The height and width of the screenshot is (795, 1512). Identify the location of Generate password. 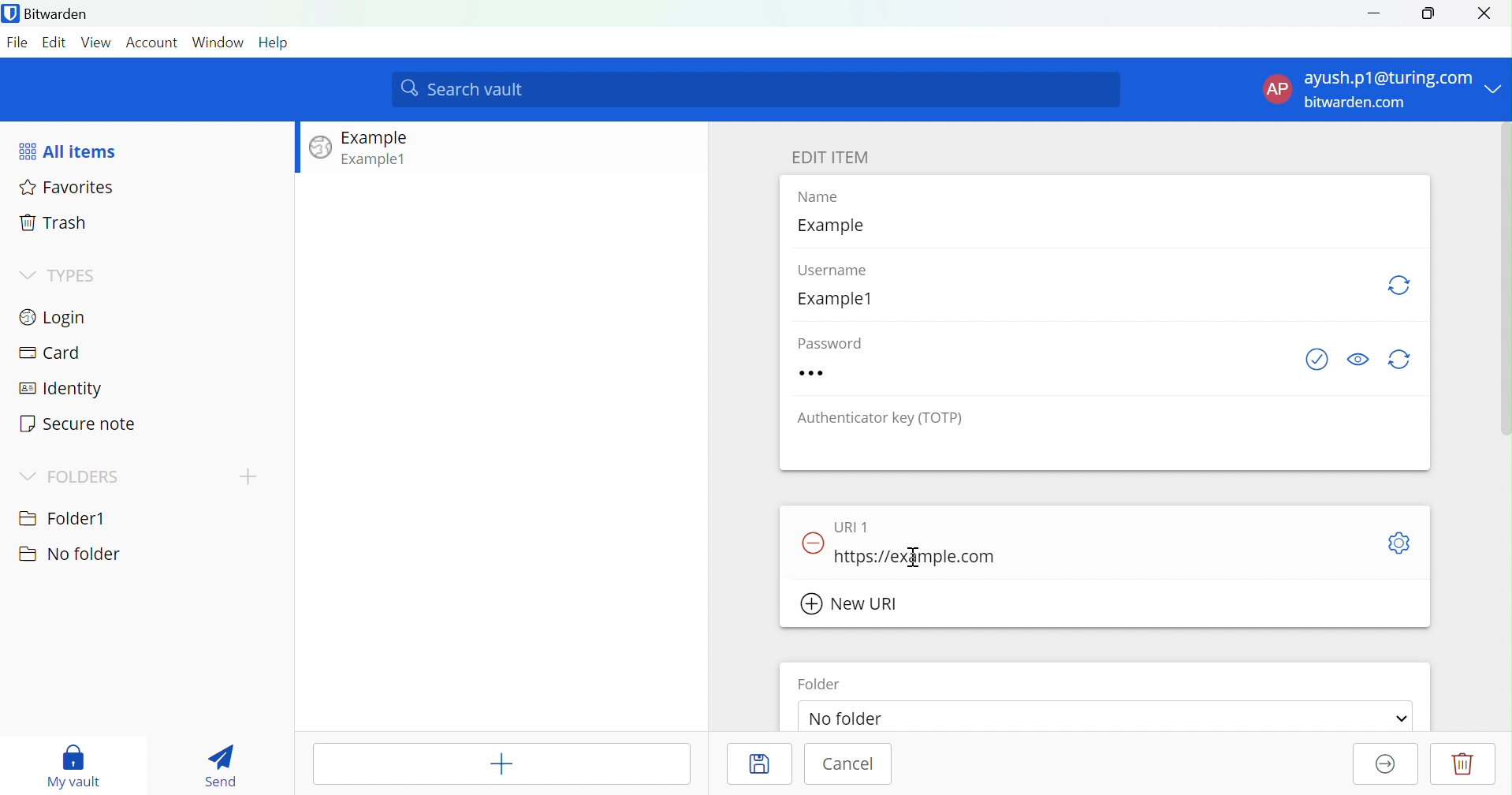
(1404, 359).